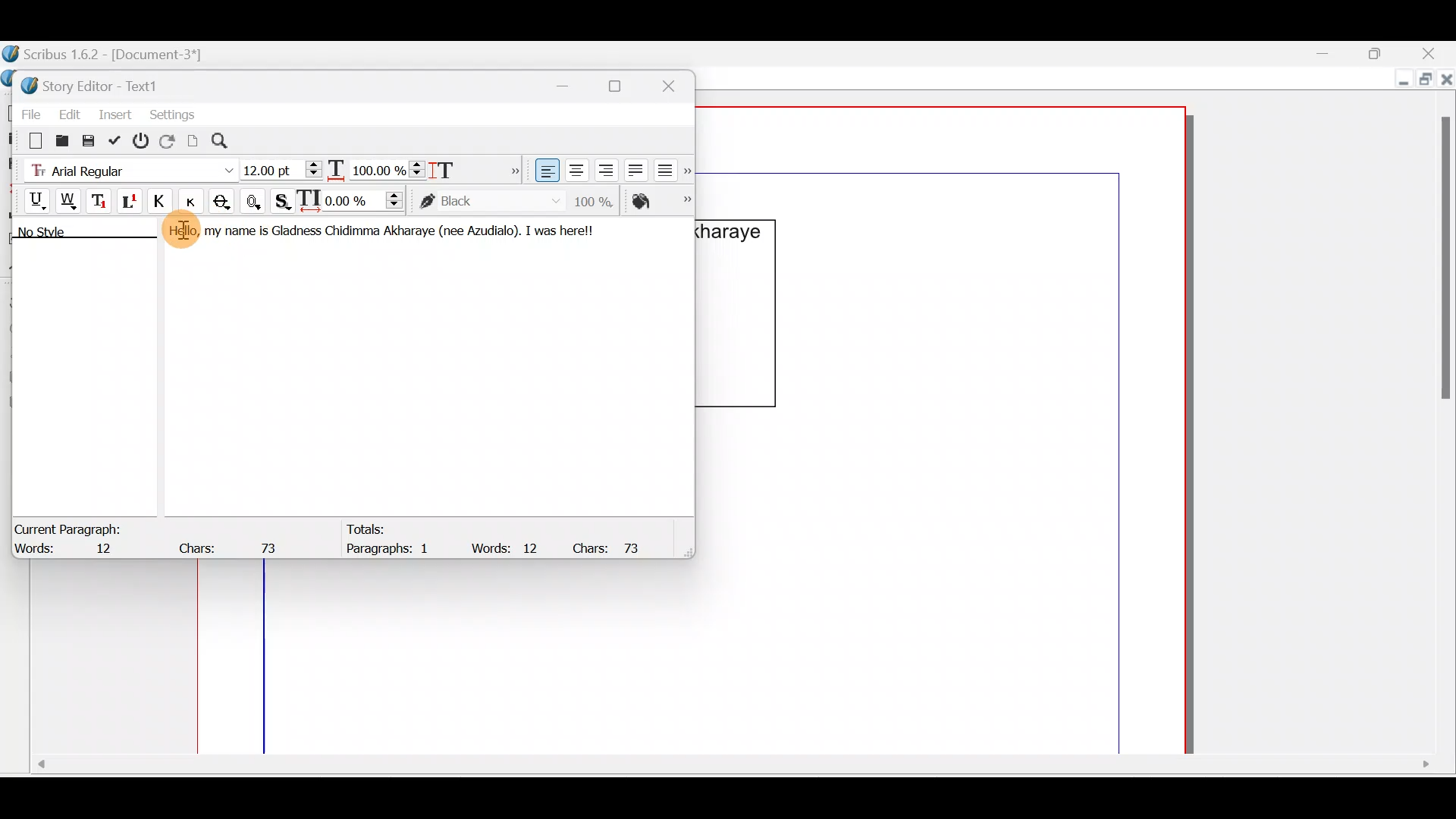 Image resolution: width=1456 pixels, height=819 pixels. I want to click on Underline words only, so click(70, 200).